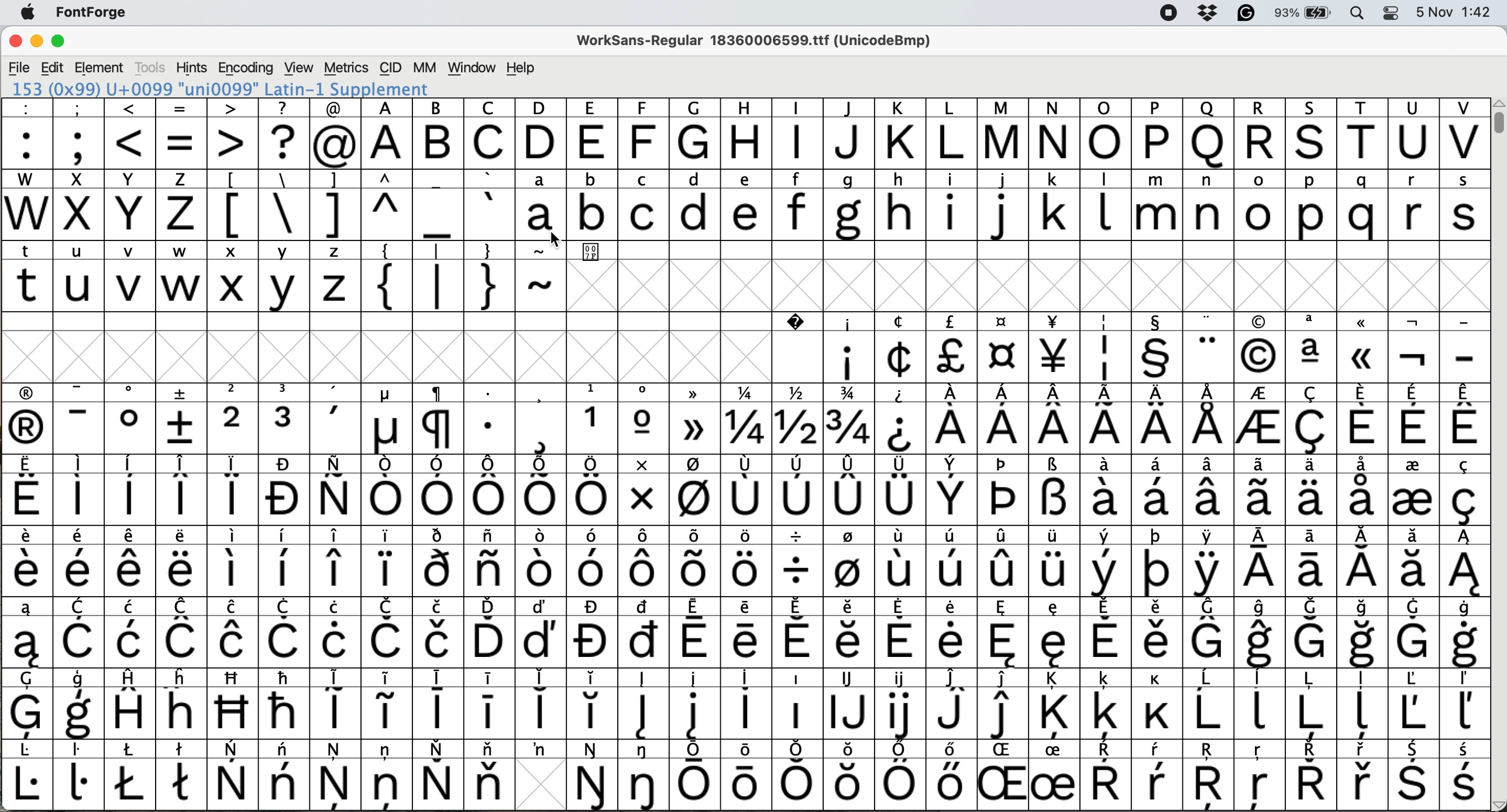  I want to click on battery, so click(1308, 12).